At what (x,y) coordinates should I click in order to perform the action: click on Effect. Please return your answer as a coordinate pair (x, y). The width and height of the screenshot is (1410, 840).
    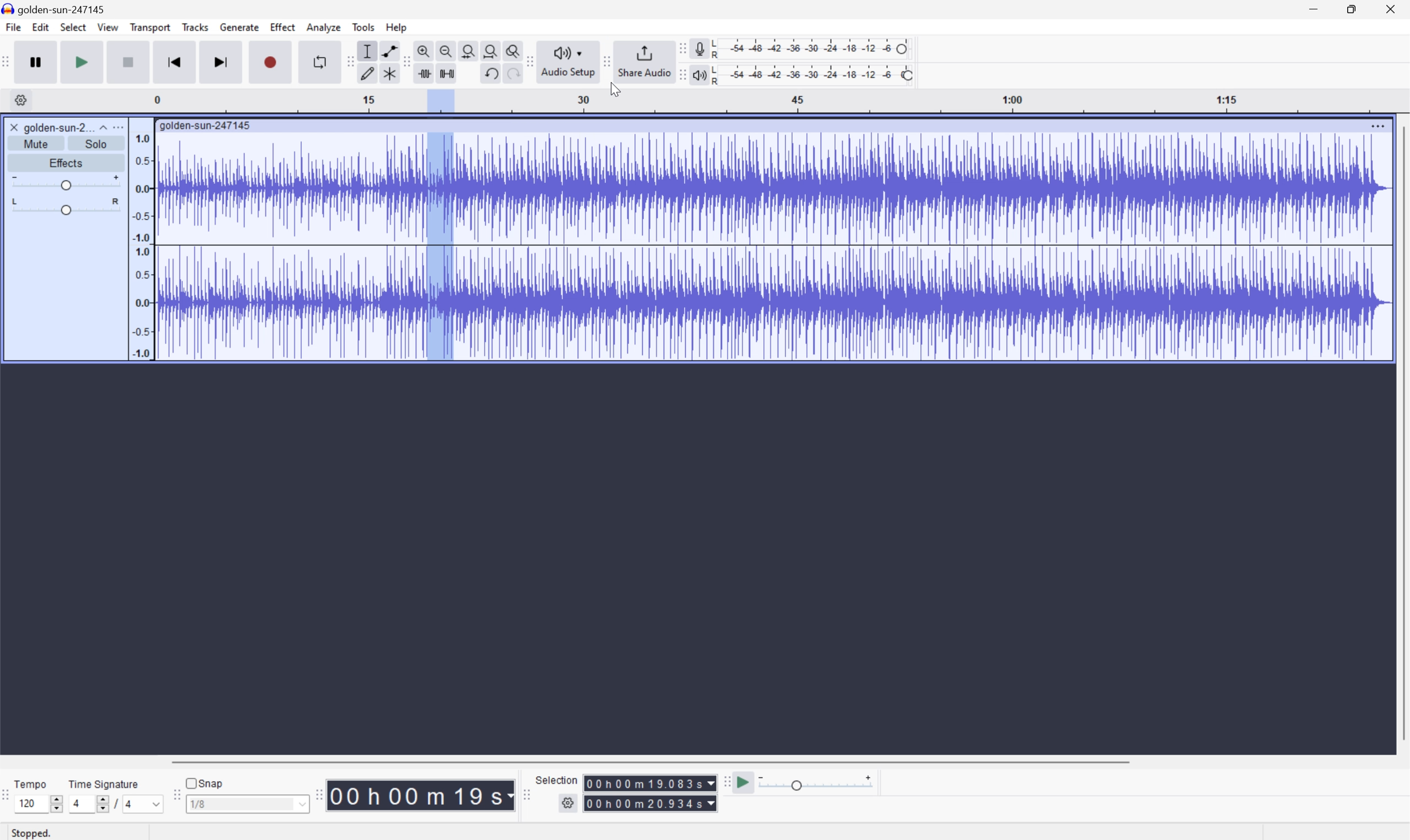
    Looking at the image, I should click on (283, 27).